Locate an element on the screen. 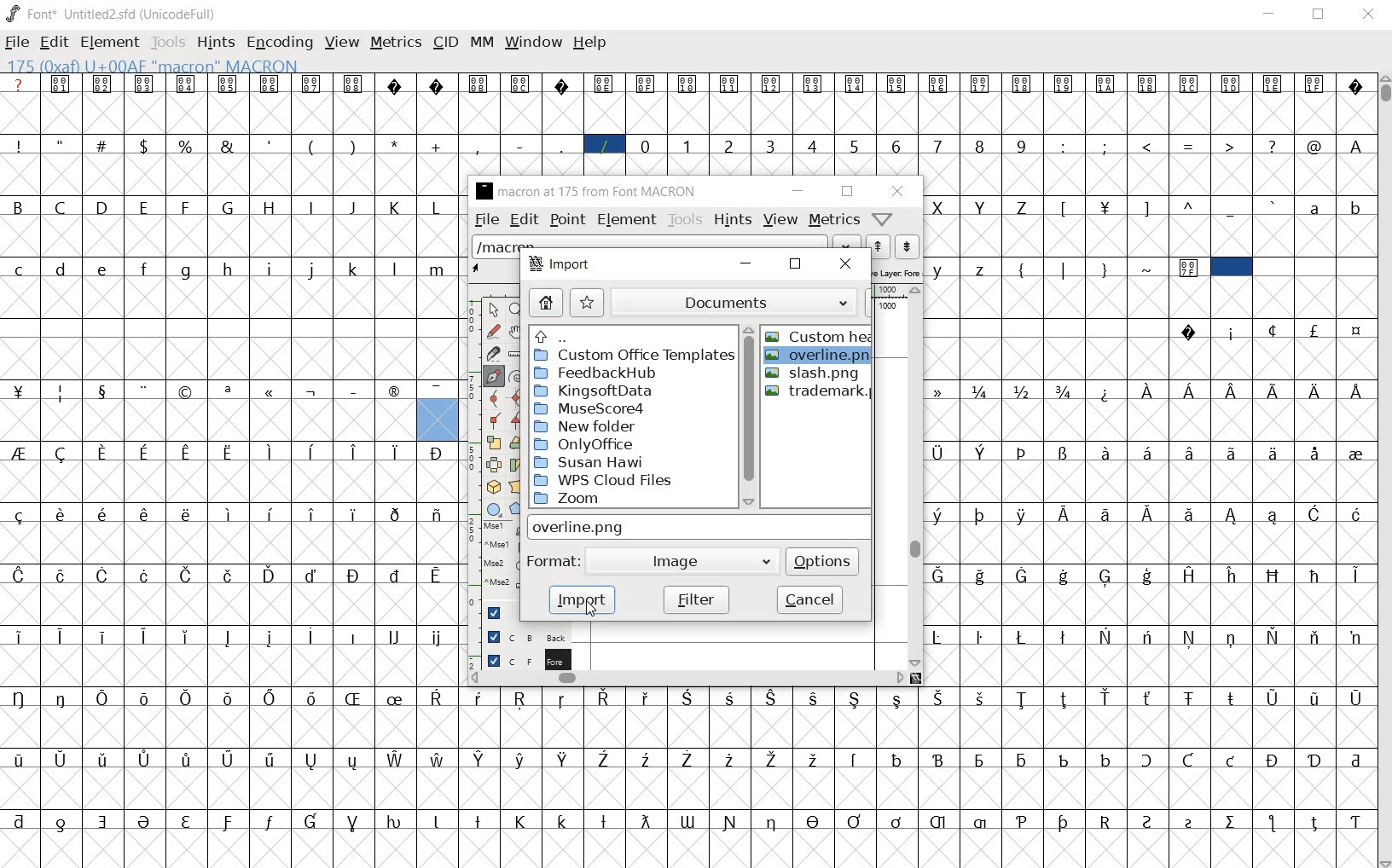  Symbol is located at coordinates (1354, 636).